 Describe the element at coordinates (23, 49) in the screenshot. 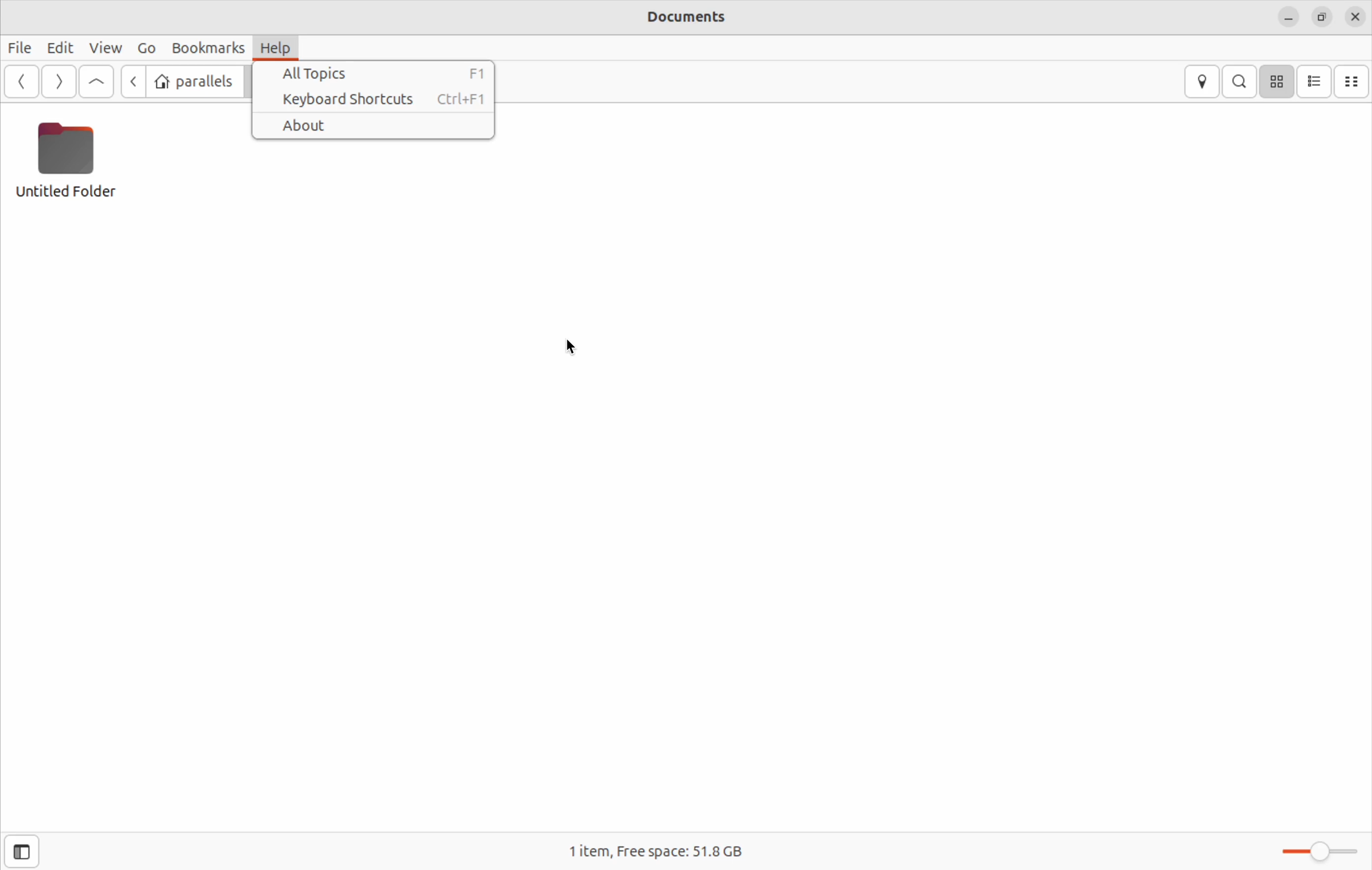

I see `Files` at that location.